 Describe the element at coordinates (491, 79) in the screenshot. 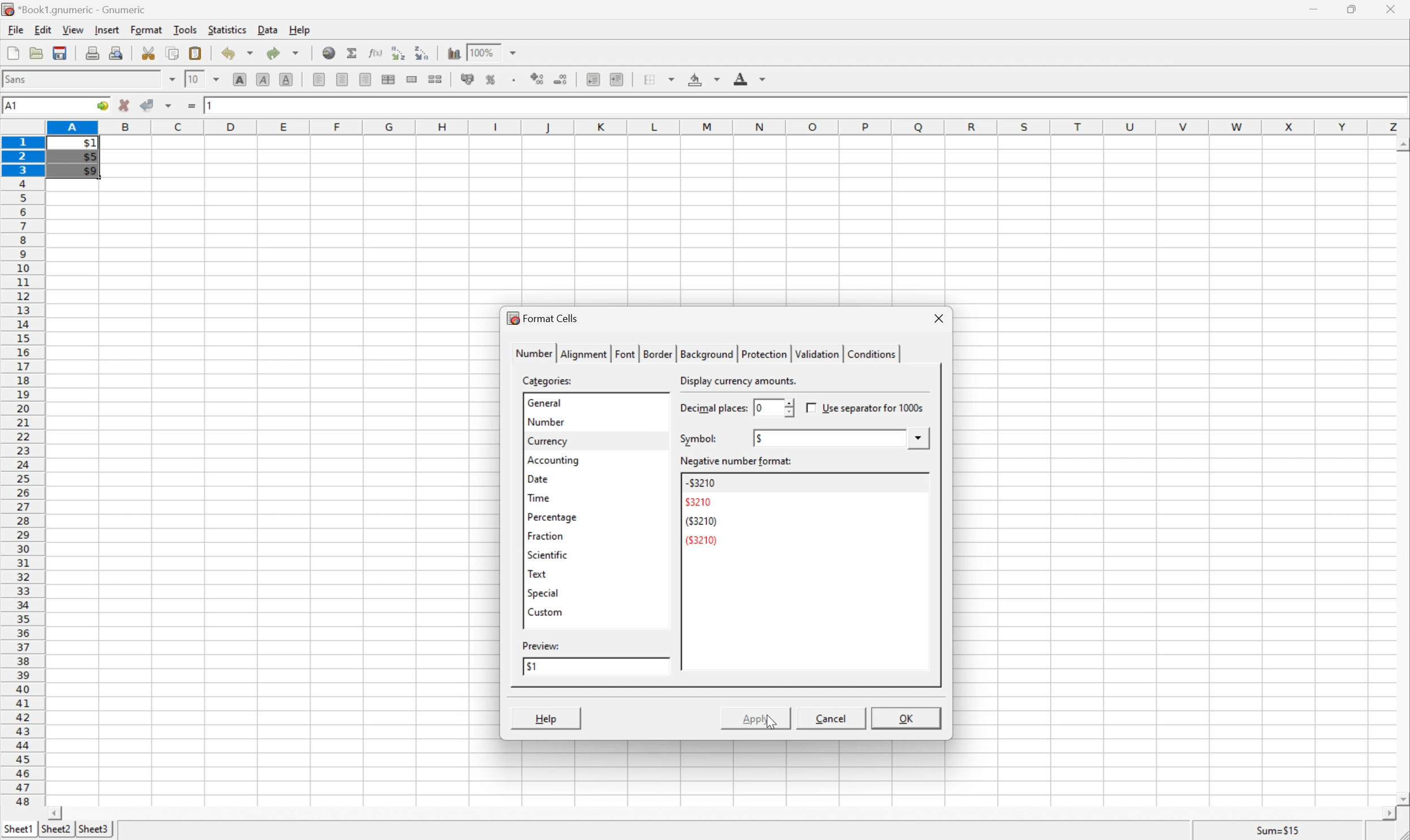

I see `format selection as percentage` at that location.